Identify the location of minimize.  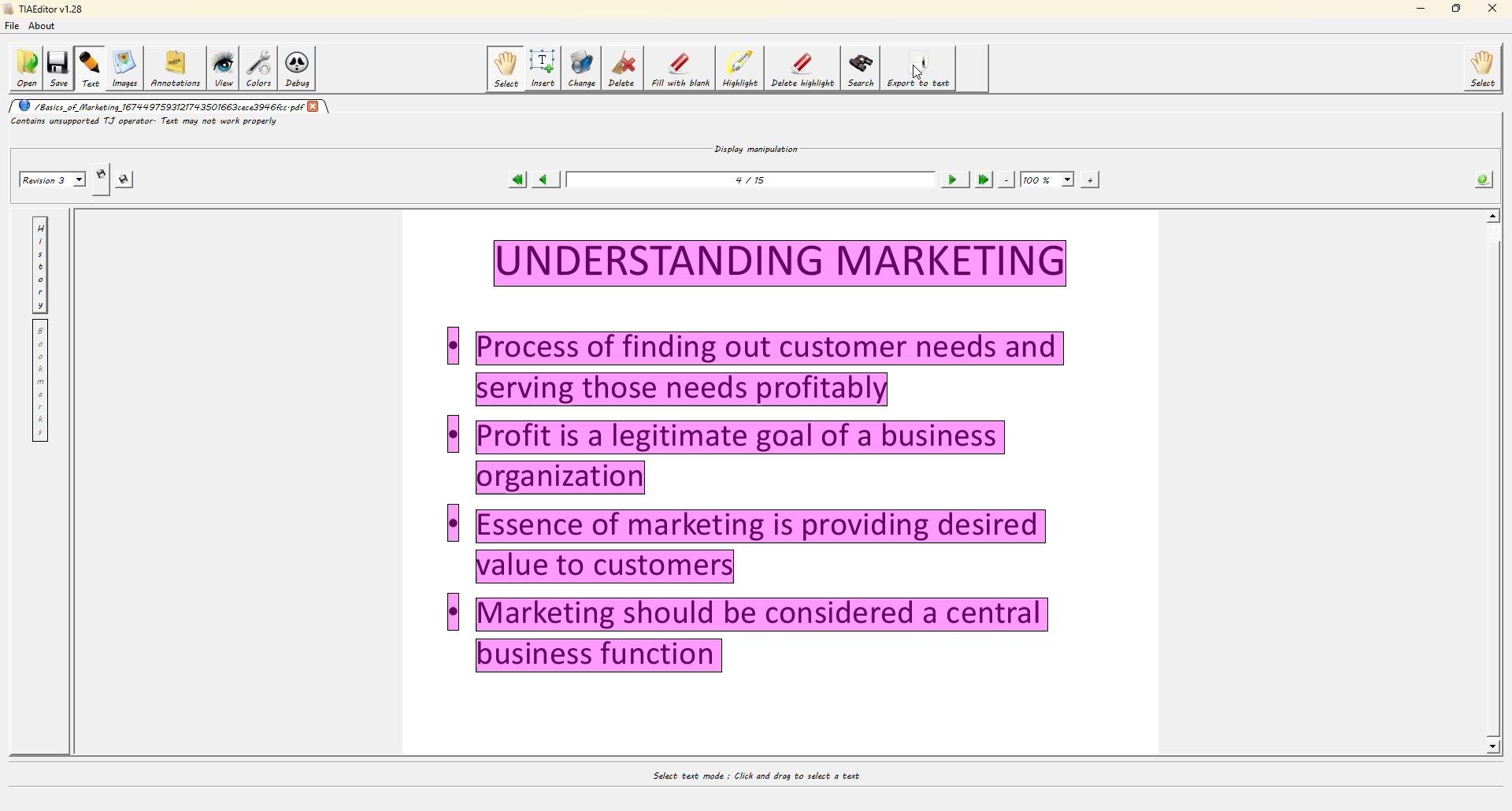
(1416, 9).